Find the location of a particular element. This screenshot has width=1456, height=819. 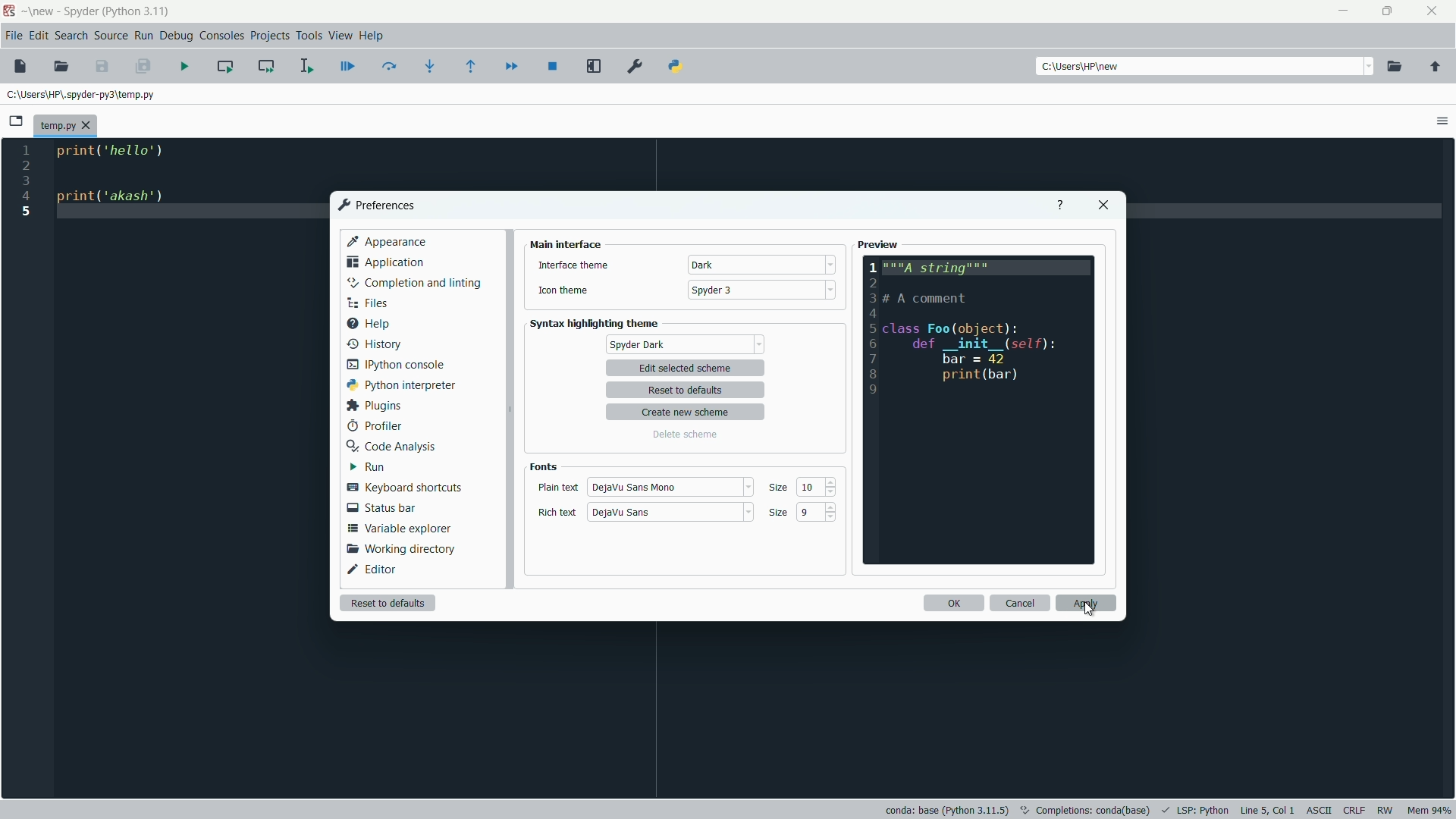

history is located at coordinates (372, 342).